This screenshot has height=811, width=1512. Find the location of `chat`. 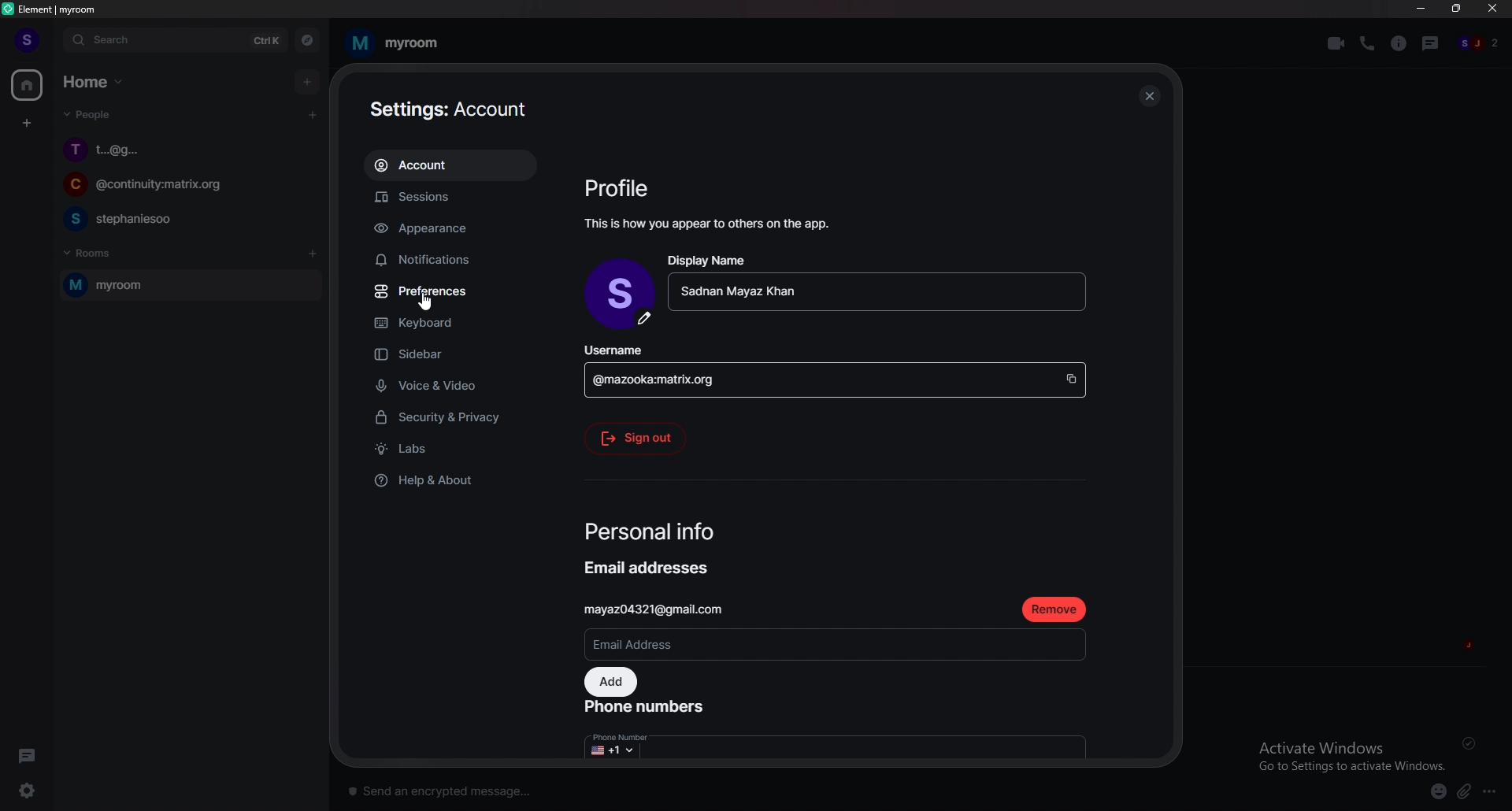

chat is located at coordinates (184, 187).